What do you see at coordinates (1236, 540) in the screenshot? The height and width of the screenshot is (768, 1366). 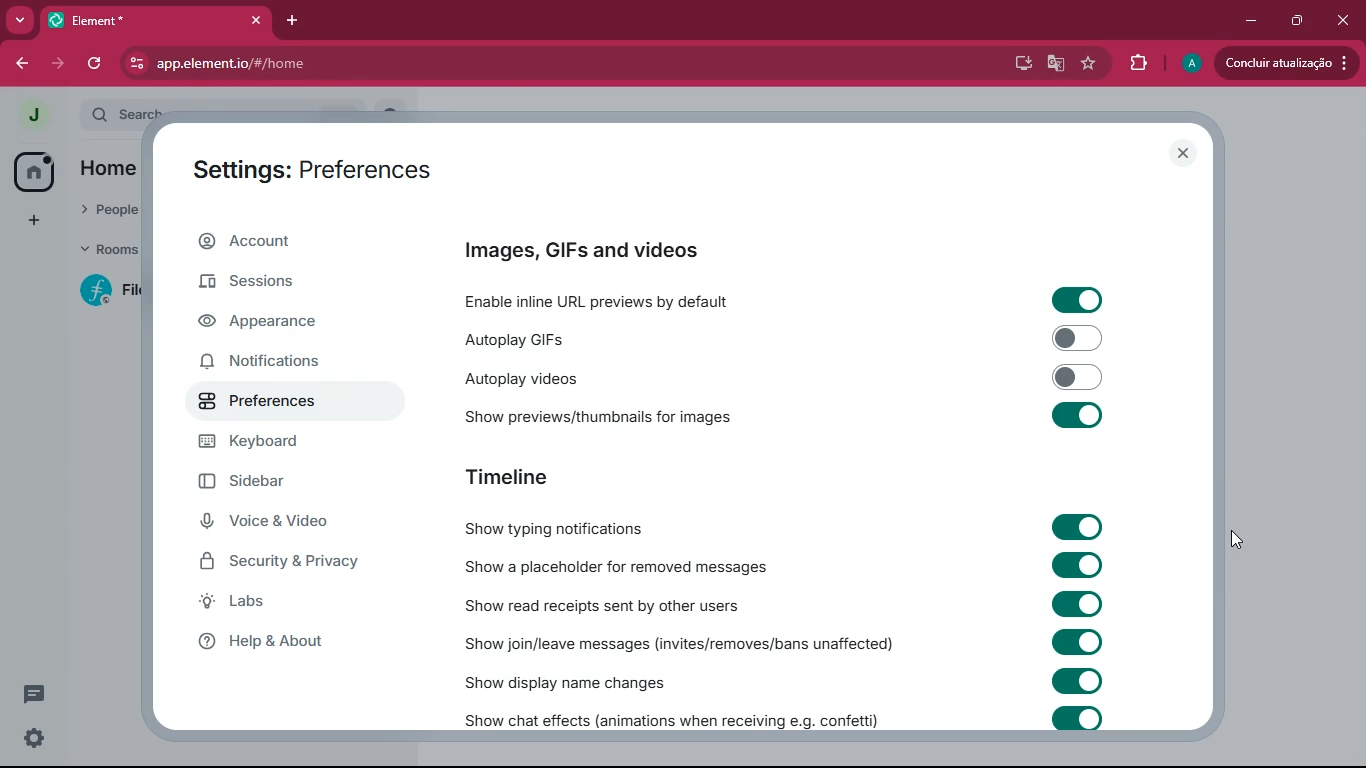 I see `drag to` at bounding box center [1236, 540].